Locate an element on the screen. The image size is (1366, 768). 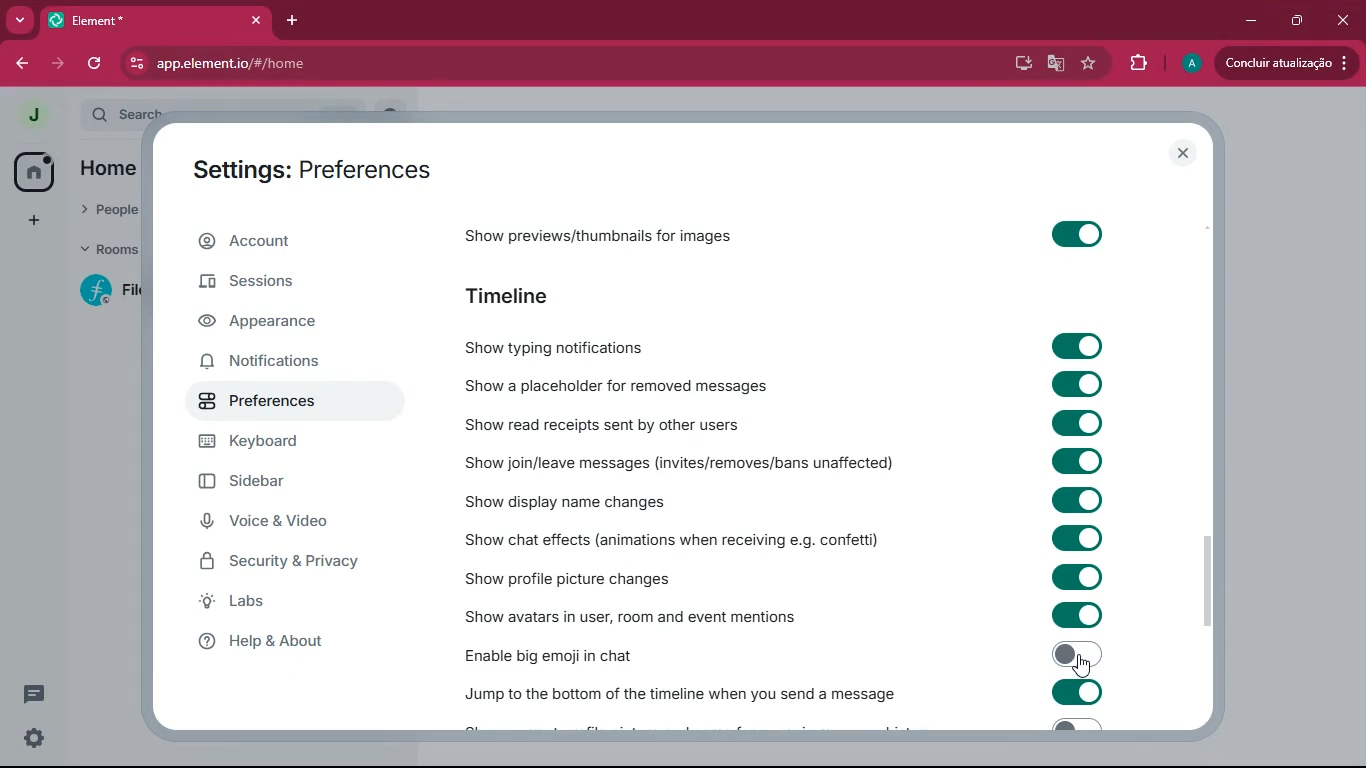
sidebar is located at coordinates (287, 484).